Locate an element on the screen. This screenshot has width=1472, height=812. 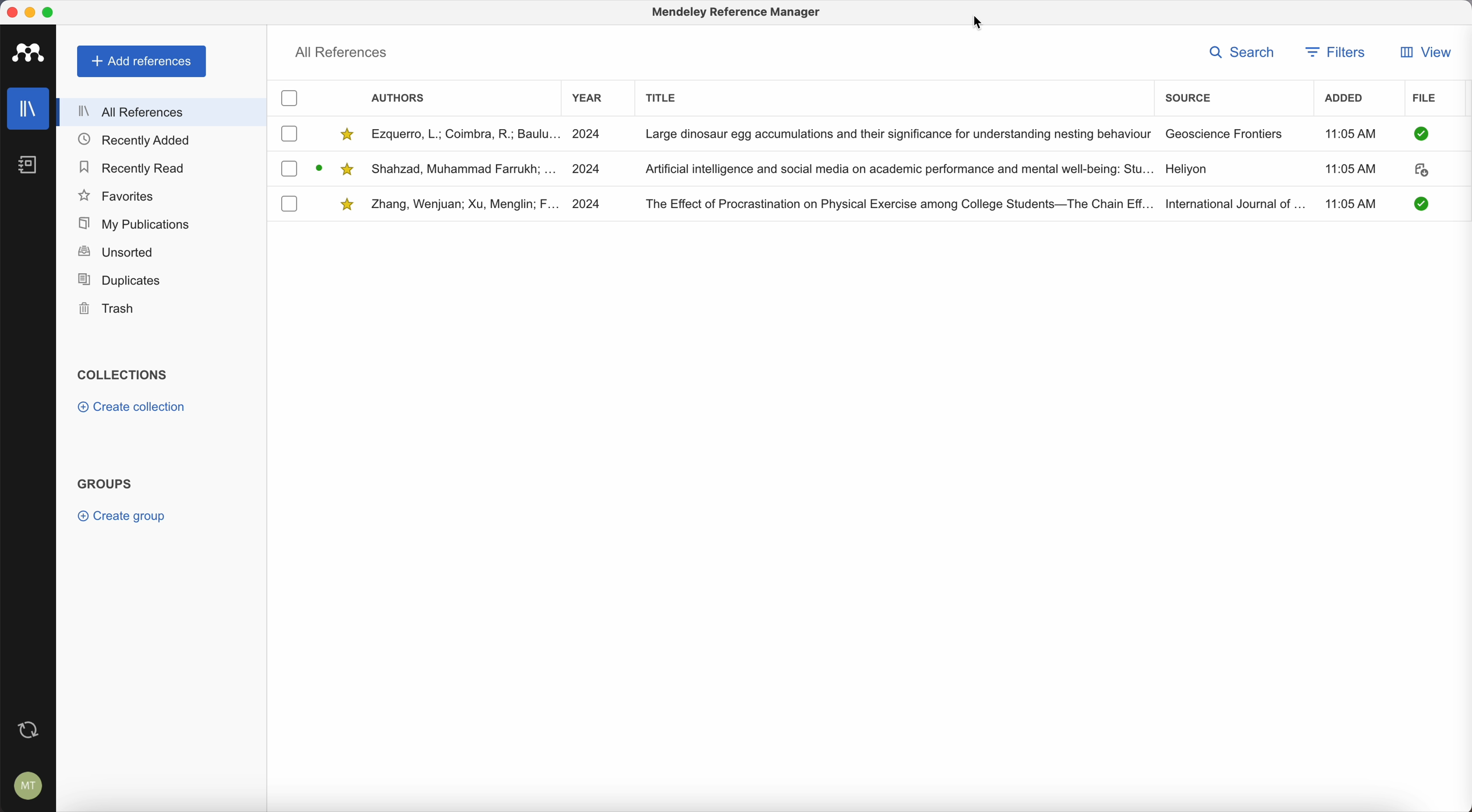
search is located at coordinates (1241, 51).